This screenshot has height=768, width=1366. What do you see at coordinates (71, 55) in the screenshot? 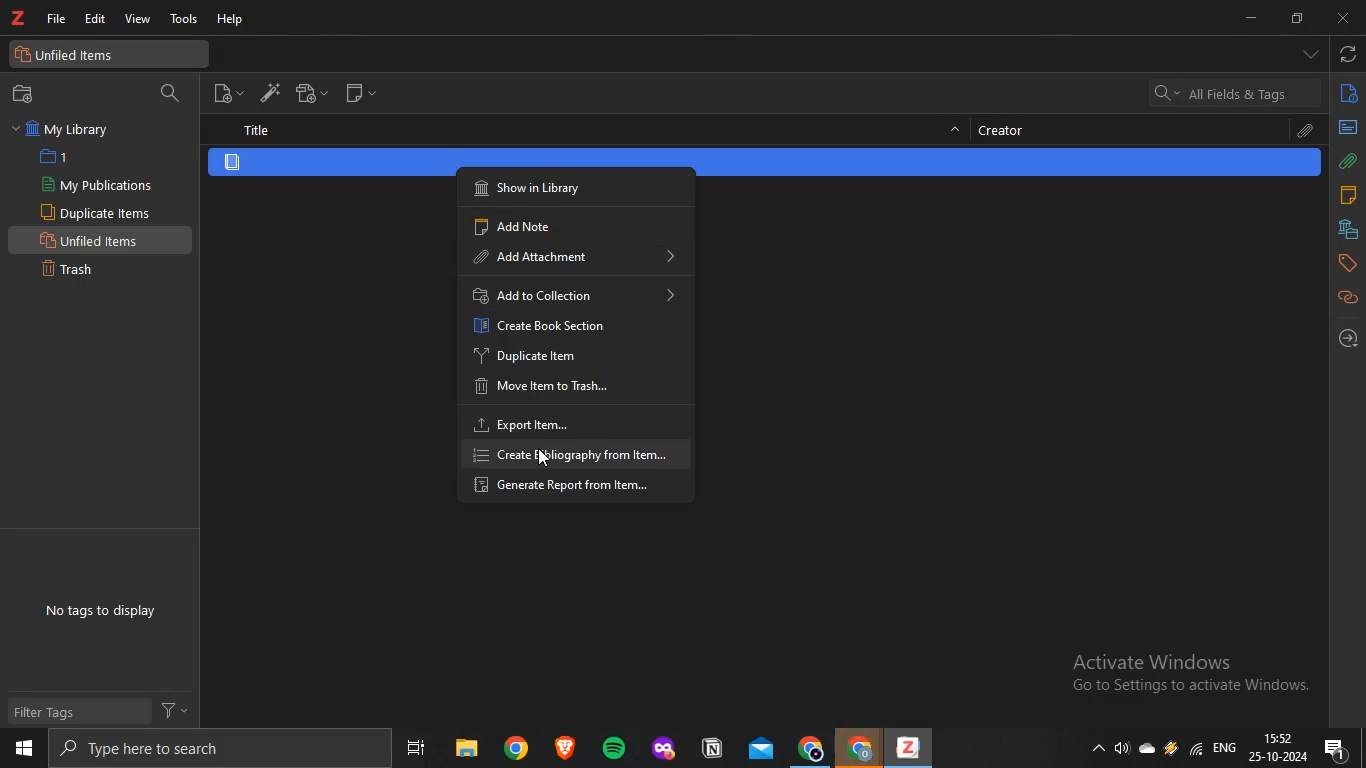
I see `unfiled items` at bounding box center [71, 55].